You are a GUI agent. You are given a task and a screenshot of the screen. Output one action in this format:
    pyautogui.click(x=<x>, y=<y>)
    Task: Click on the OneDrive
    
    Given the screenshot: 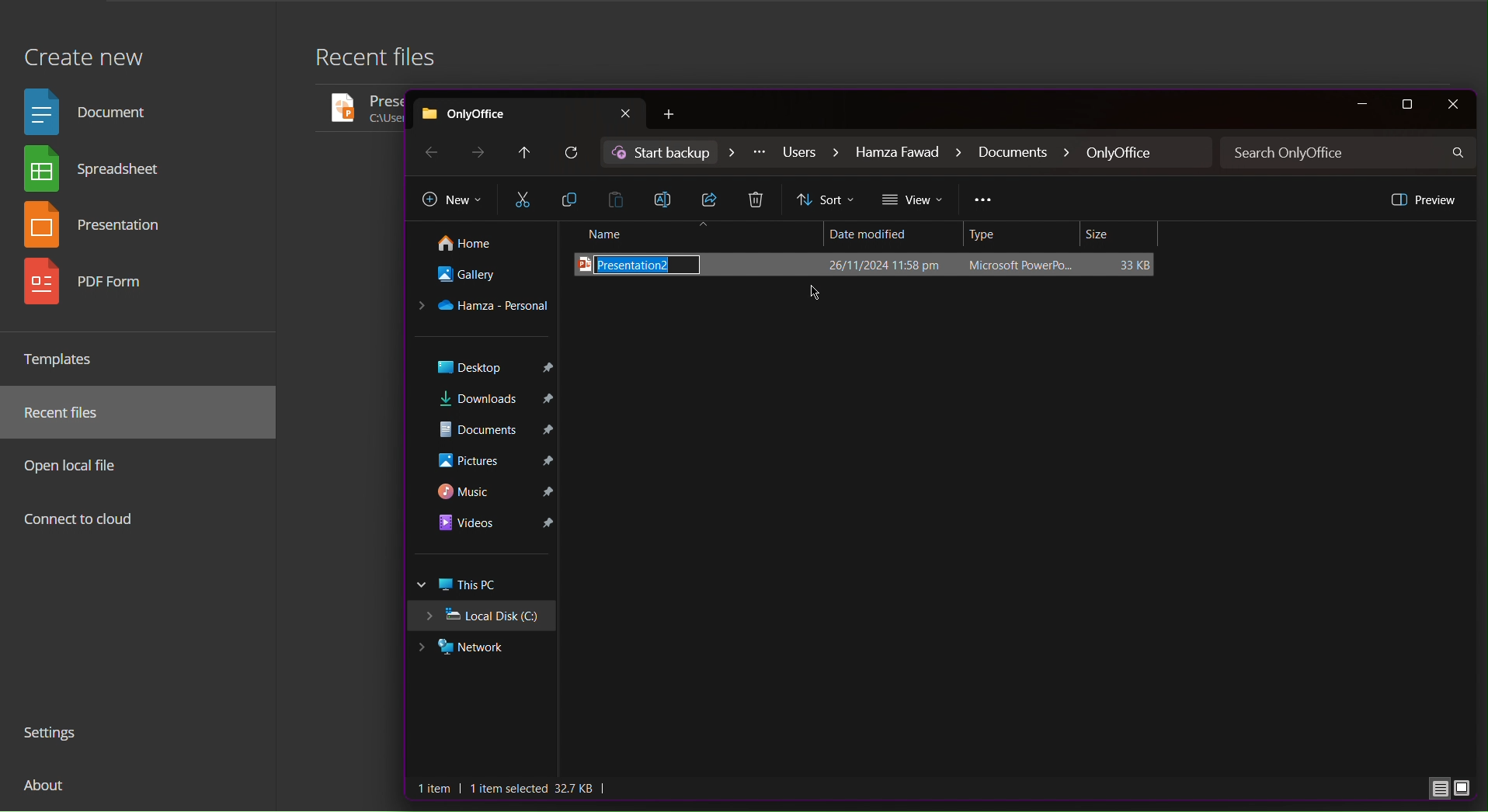 What is the action you would take?
    pyautogui.click(x=484, y=307)
    